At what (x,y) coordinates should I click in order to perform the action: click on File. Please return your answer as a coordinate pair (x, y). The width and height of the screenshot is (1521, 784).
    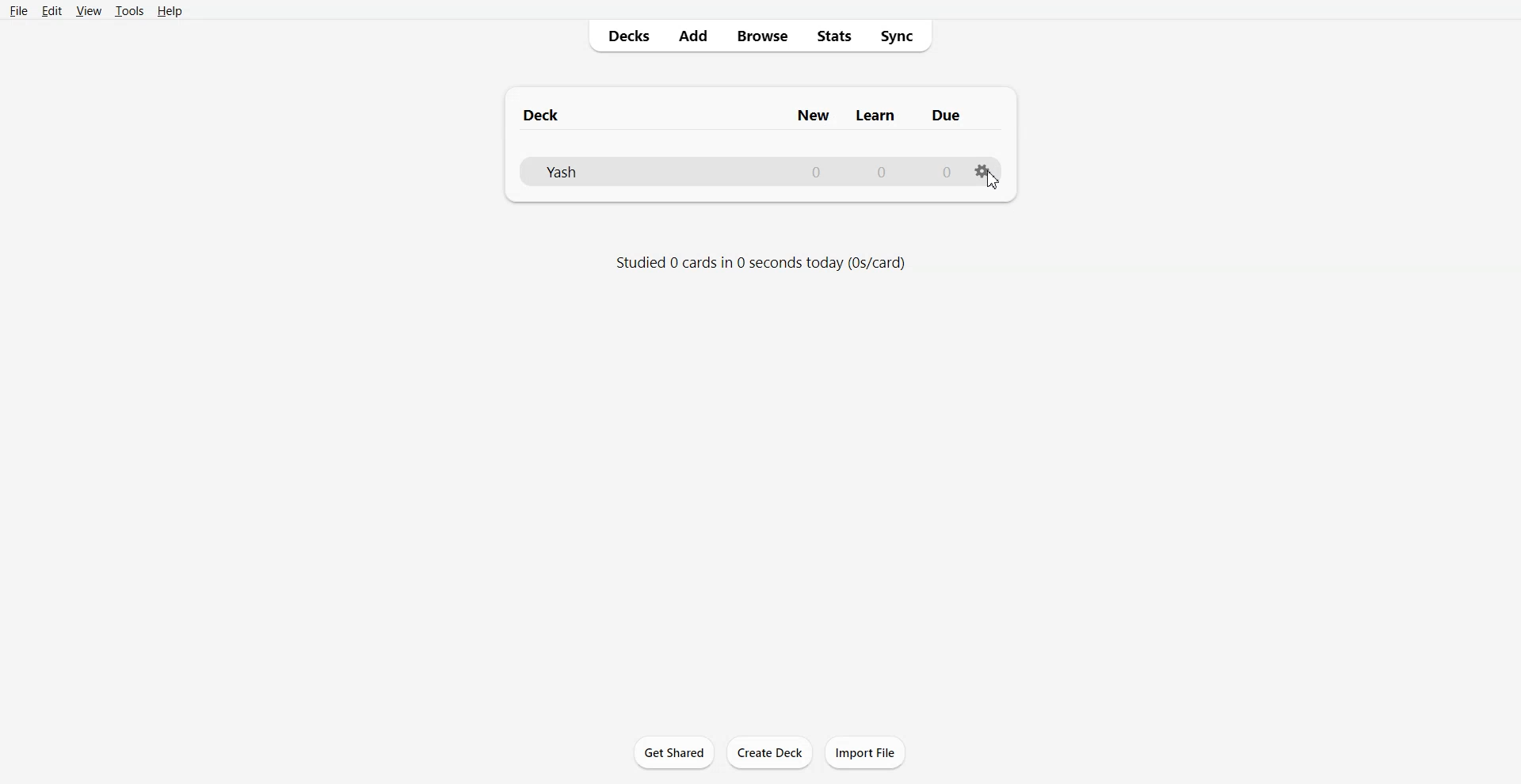
    Looking at the image, I should click on (19, 10).